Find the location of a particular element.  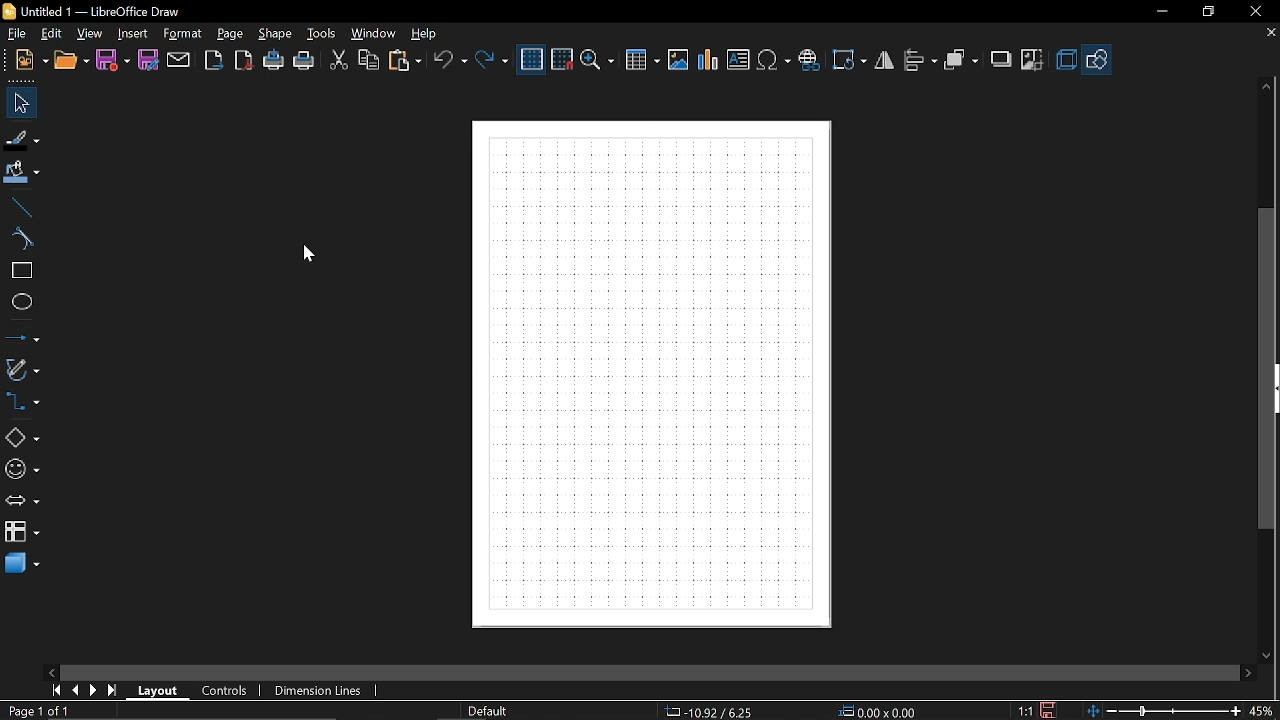

close is located at coordinates (1255, 13).